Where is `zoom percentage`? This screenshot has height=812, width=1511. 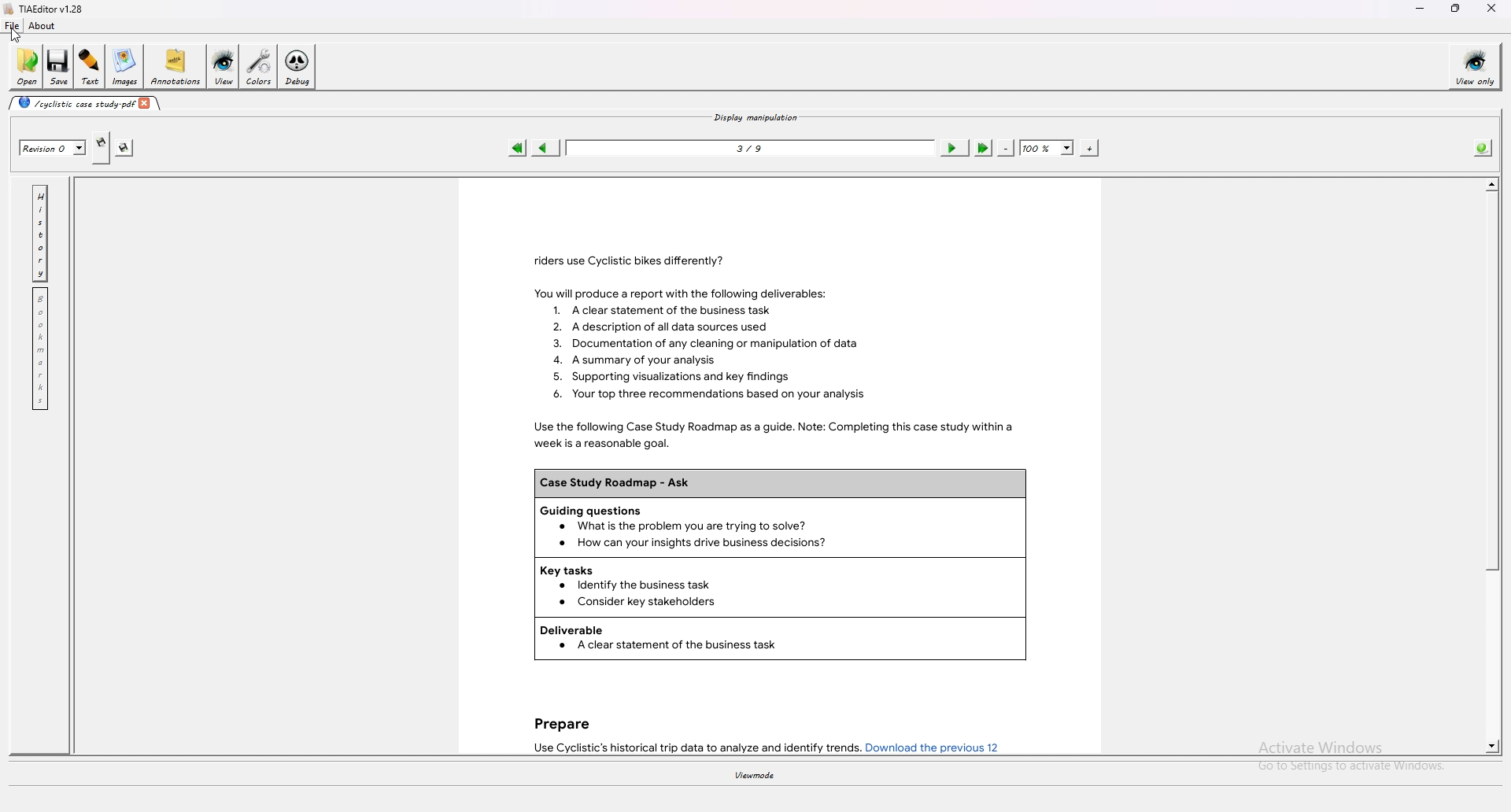
zoom percentage is located at coordinates (1047, 148).